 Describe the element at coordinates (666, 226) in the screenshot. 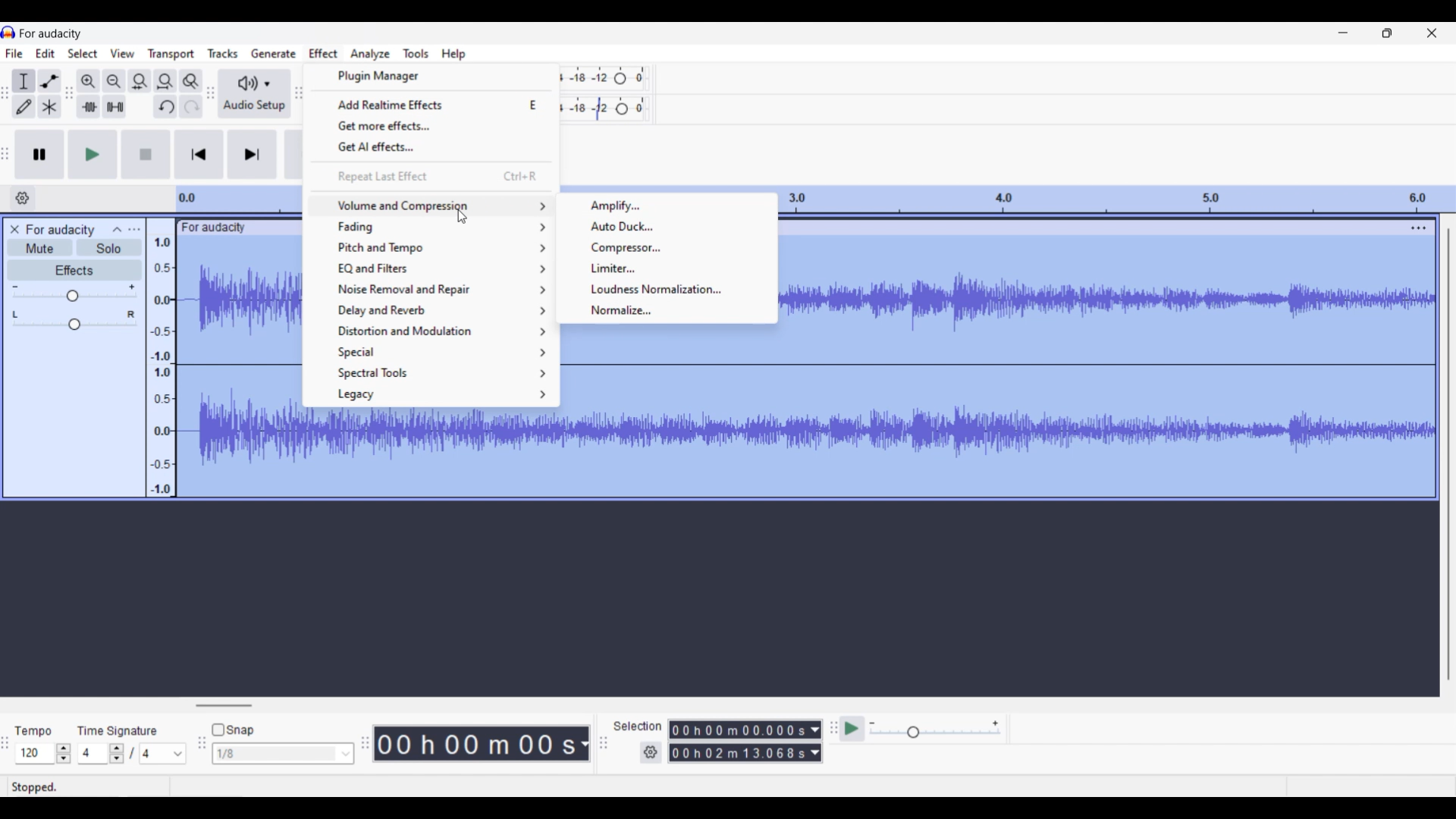

I see `Auto duck` at that location.